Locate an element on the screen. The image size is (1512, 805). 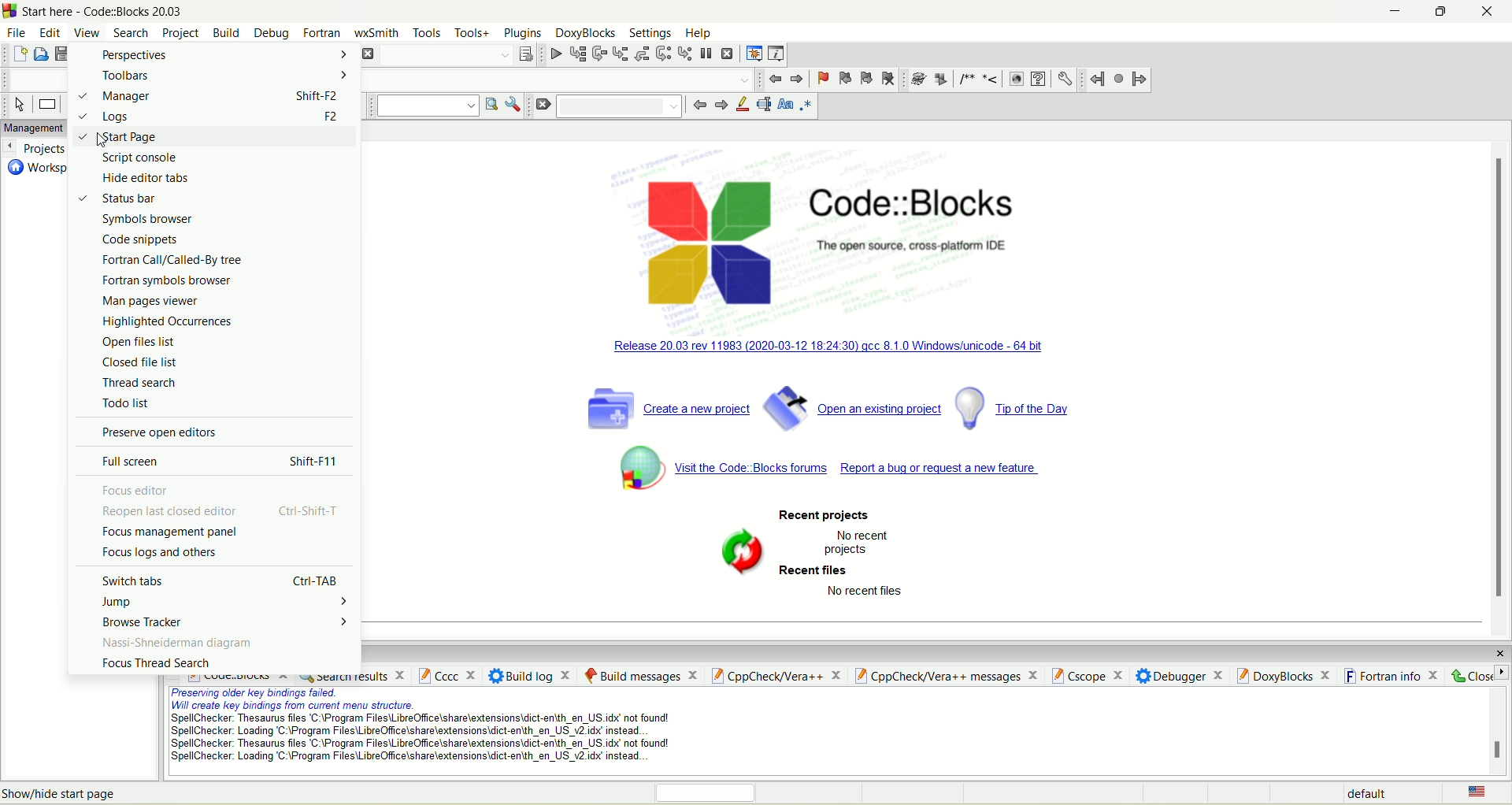
closed file list is located at coordinates (143, 362).